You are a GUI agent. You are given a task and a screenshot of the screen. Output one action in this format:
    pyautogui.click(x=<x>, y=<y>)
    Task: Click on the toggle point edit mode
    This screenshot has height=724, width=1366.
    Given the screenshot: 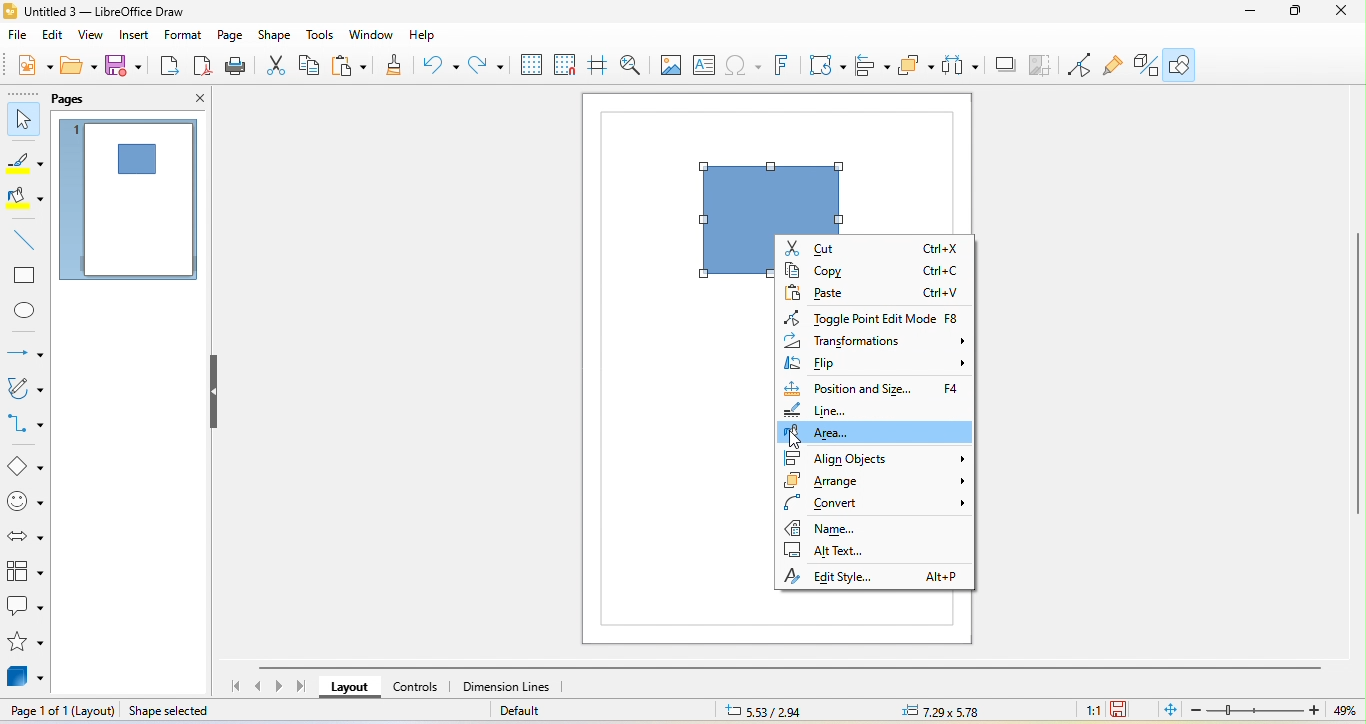 What is the action you would take?
    pyautogui.click(x=878, y=316)
    